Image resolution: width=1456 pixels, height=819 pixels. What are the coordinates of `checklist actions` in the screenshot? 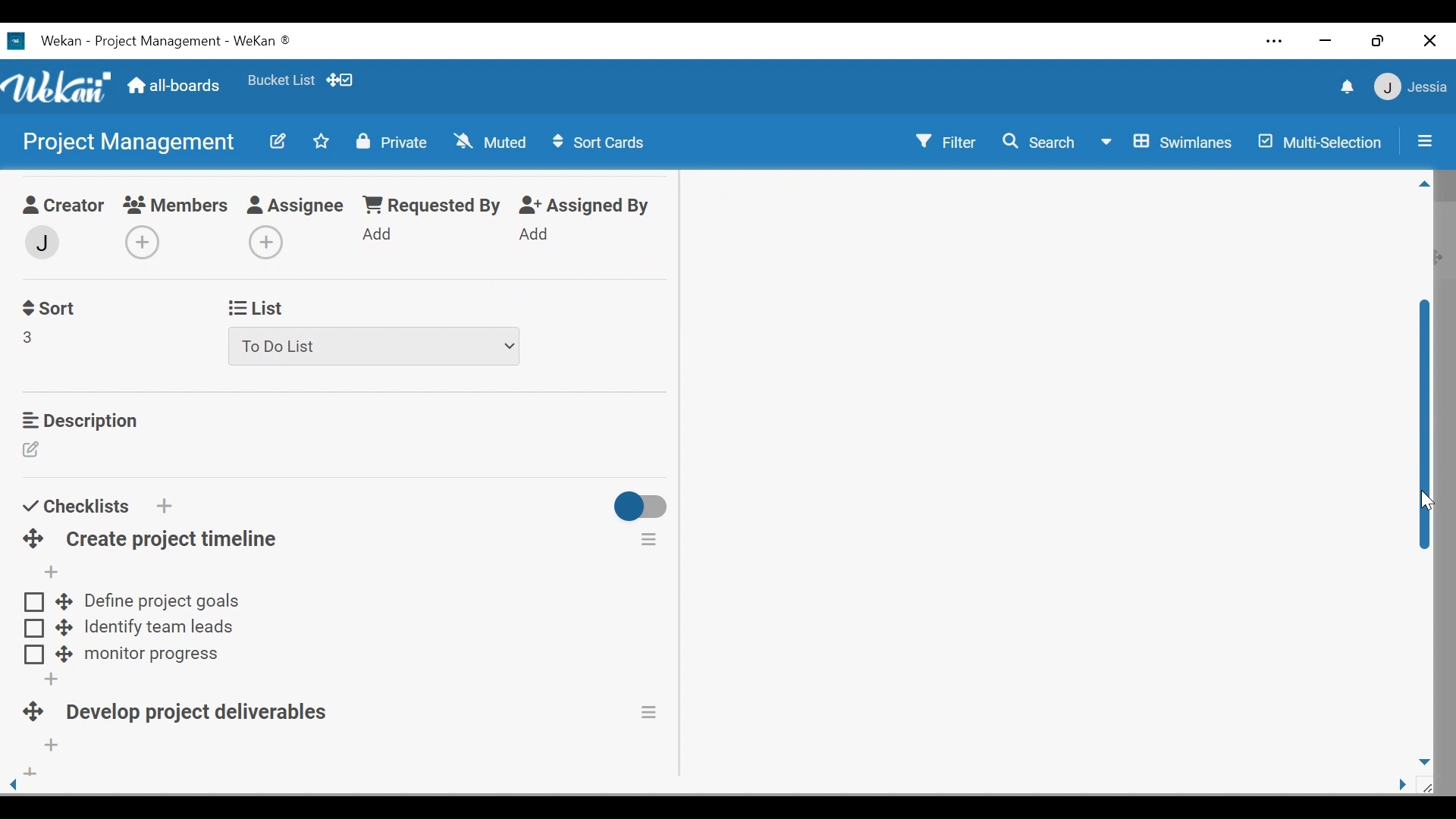 It's located at (651, 712).